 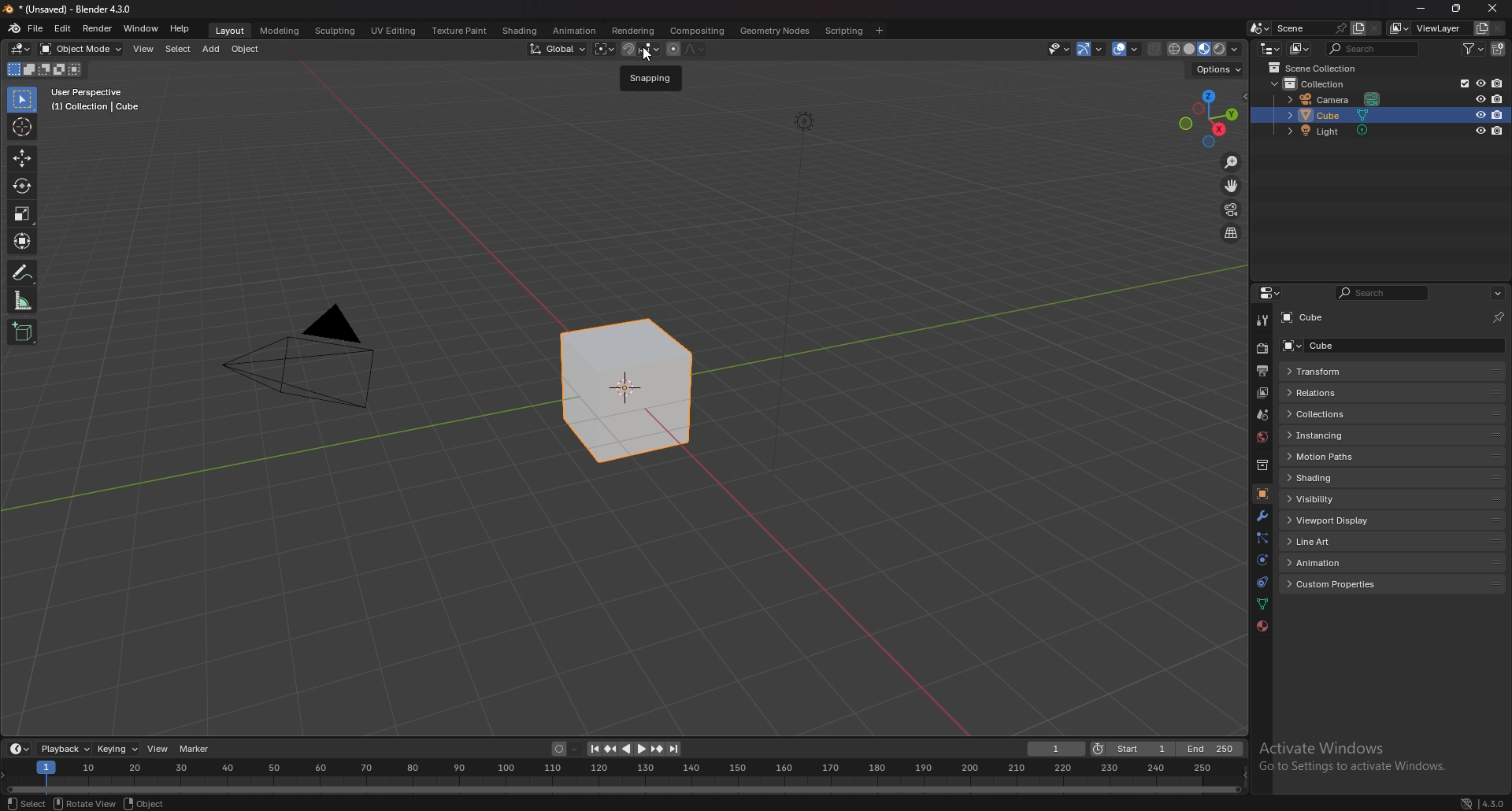 What do you see at coordinates (1496, 802) in the screenshot?
I see `version` at bounding box center [1496, 802].